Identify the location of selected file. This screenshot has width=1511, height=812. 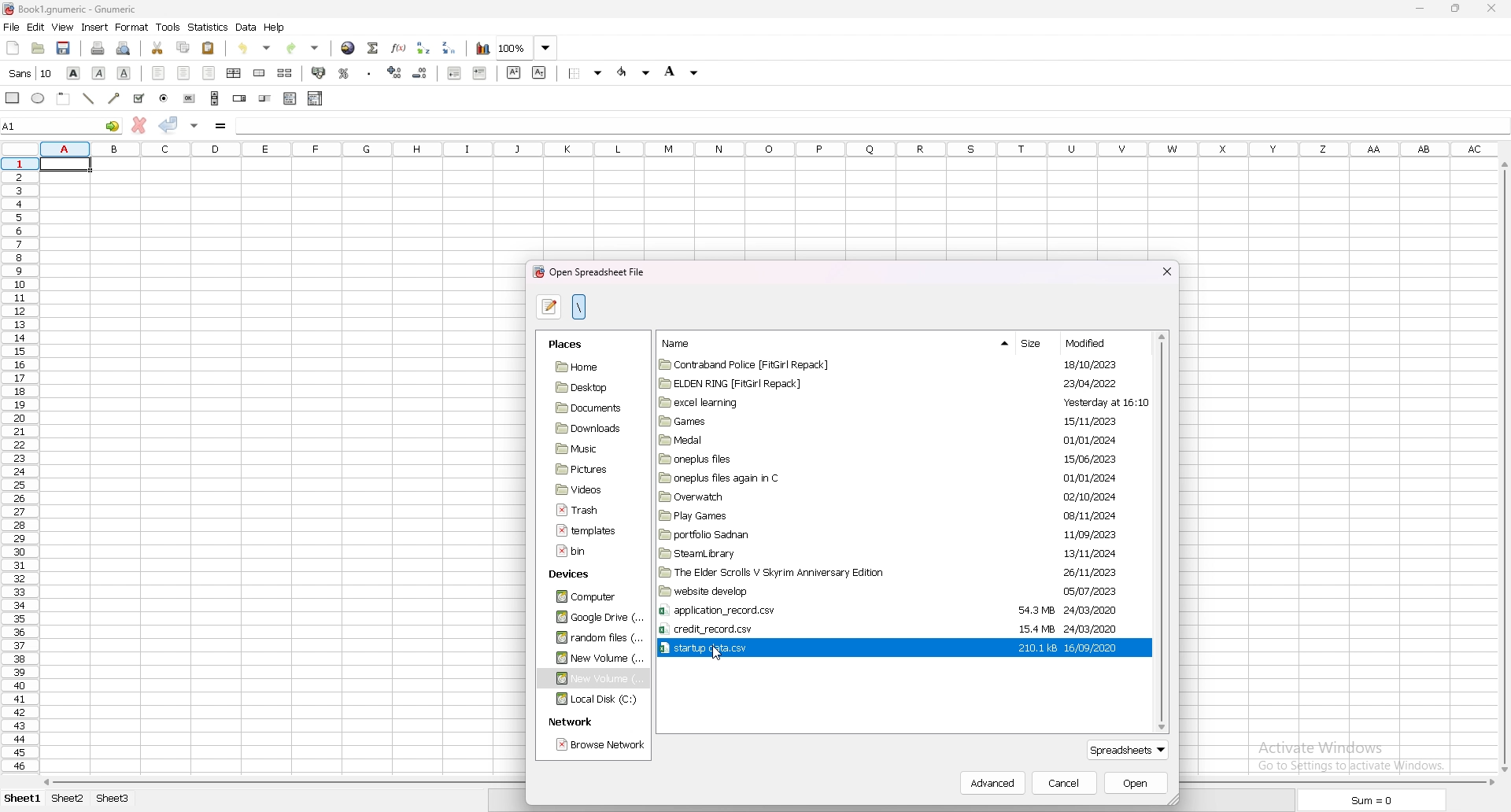
(831, 648).